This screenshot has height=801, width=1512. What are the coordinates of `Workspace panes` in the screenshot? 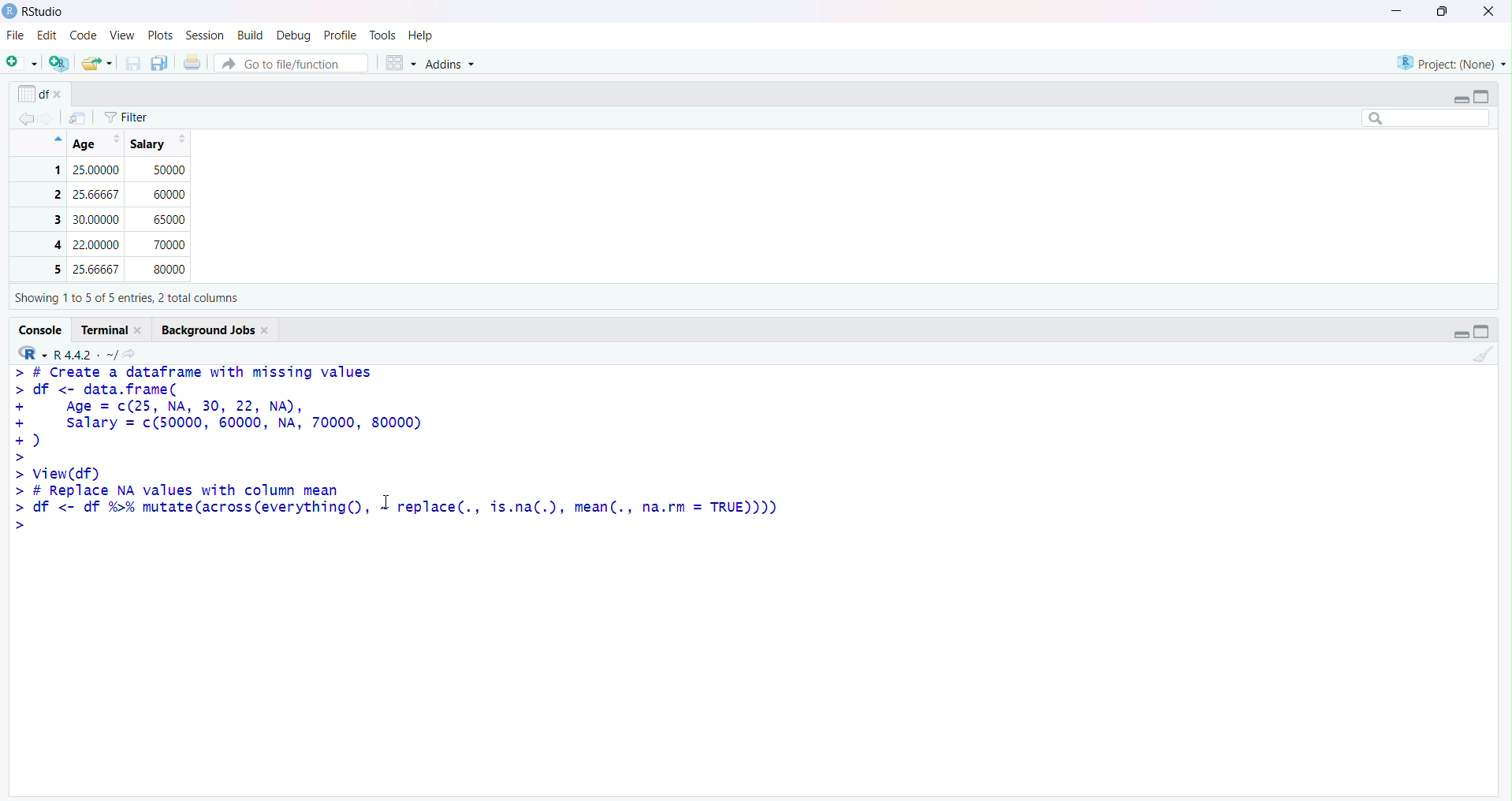 It's located at (397, 59).